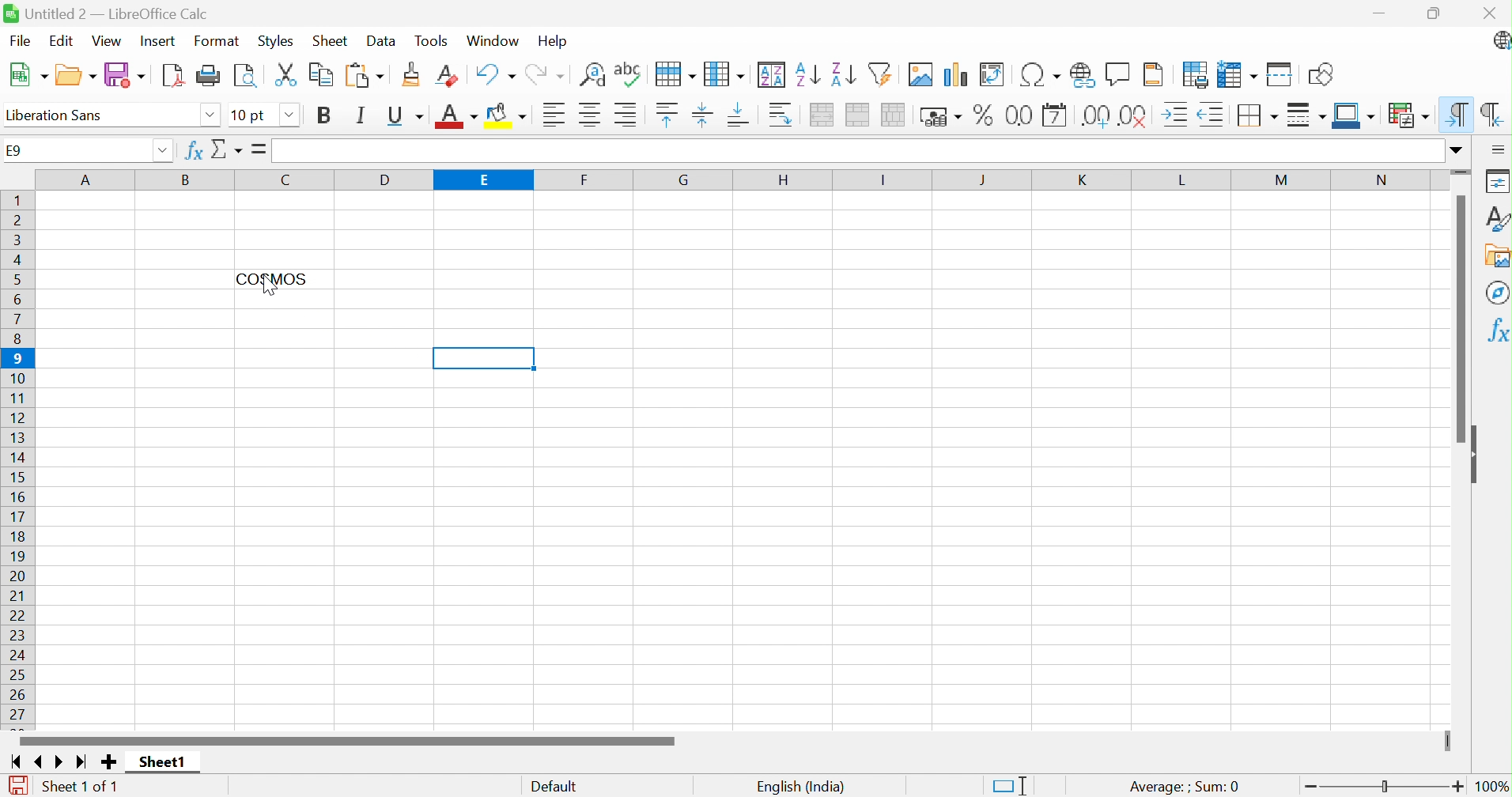 The width and height of the screenshot is (1512, 797). What do you see at coordinates (272, 279) in the screenshot?
I see `COSMOS` at bounding box center [272, 279].